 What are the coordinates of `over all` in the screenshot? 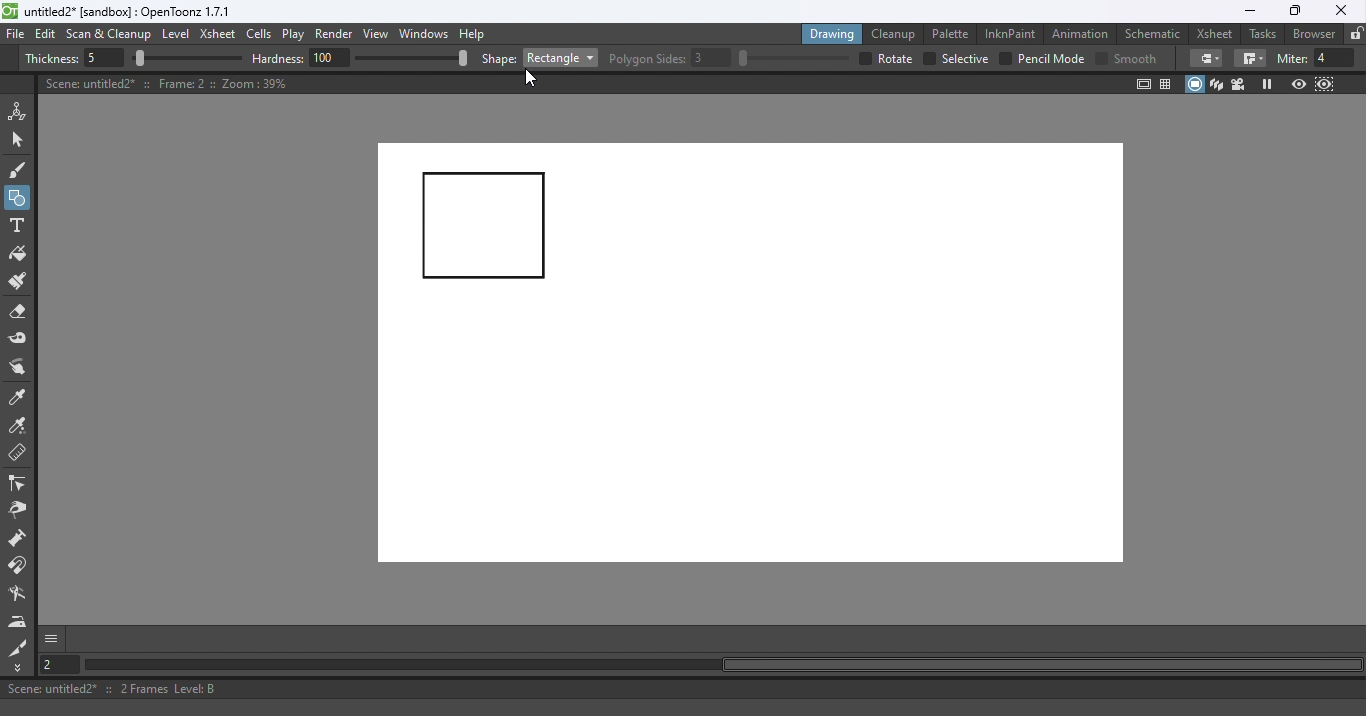 It's located at (897, 58).